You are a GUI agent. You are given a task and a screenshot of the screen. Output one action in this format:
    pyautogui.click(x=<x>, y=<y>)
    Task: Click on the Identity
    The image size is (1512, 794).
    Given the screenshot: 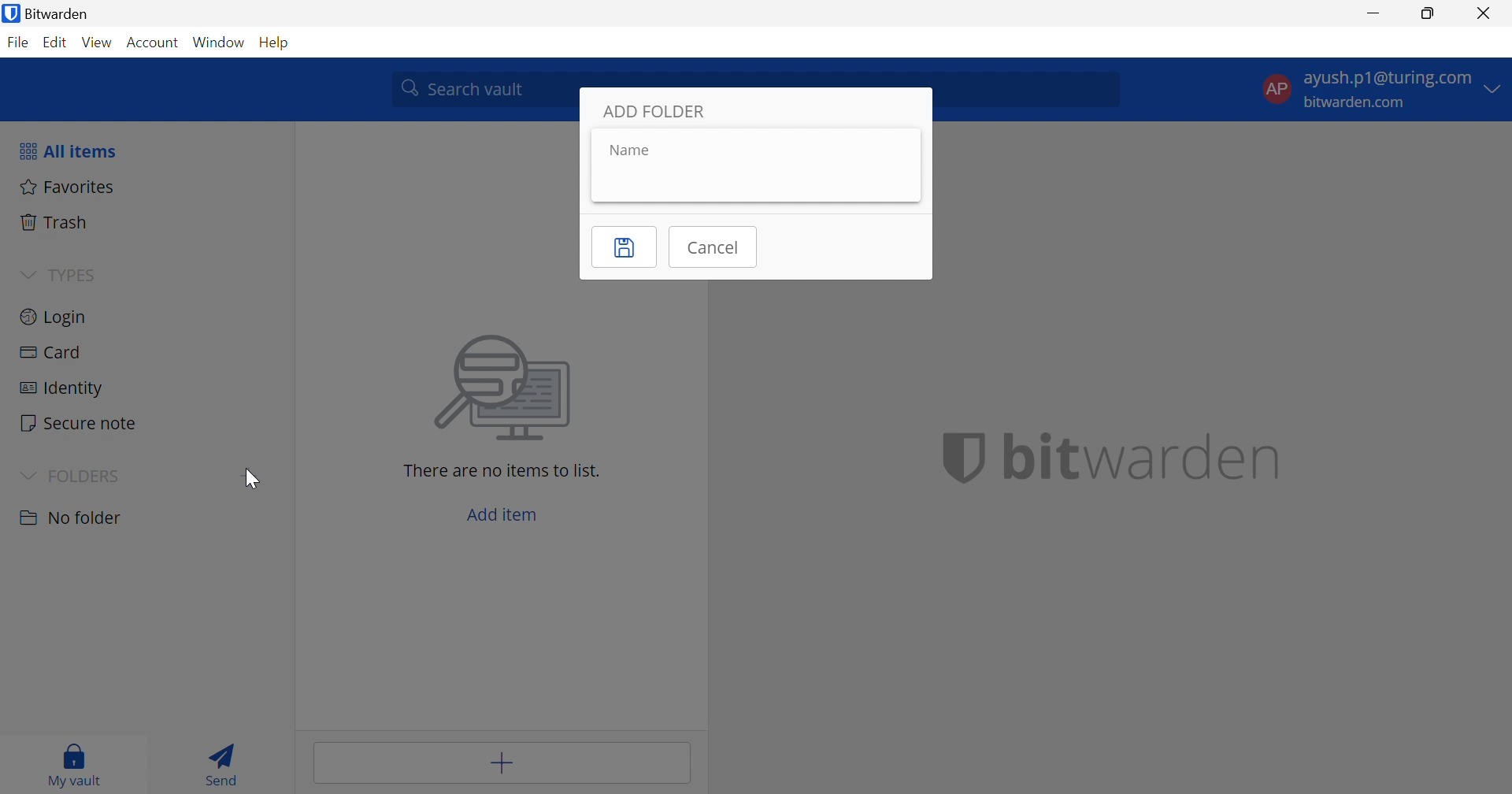 What is the action you would take?
    pyautogui.click(x=62, y=389)
    